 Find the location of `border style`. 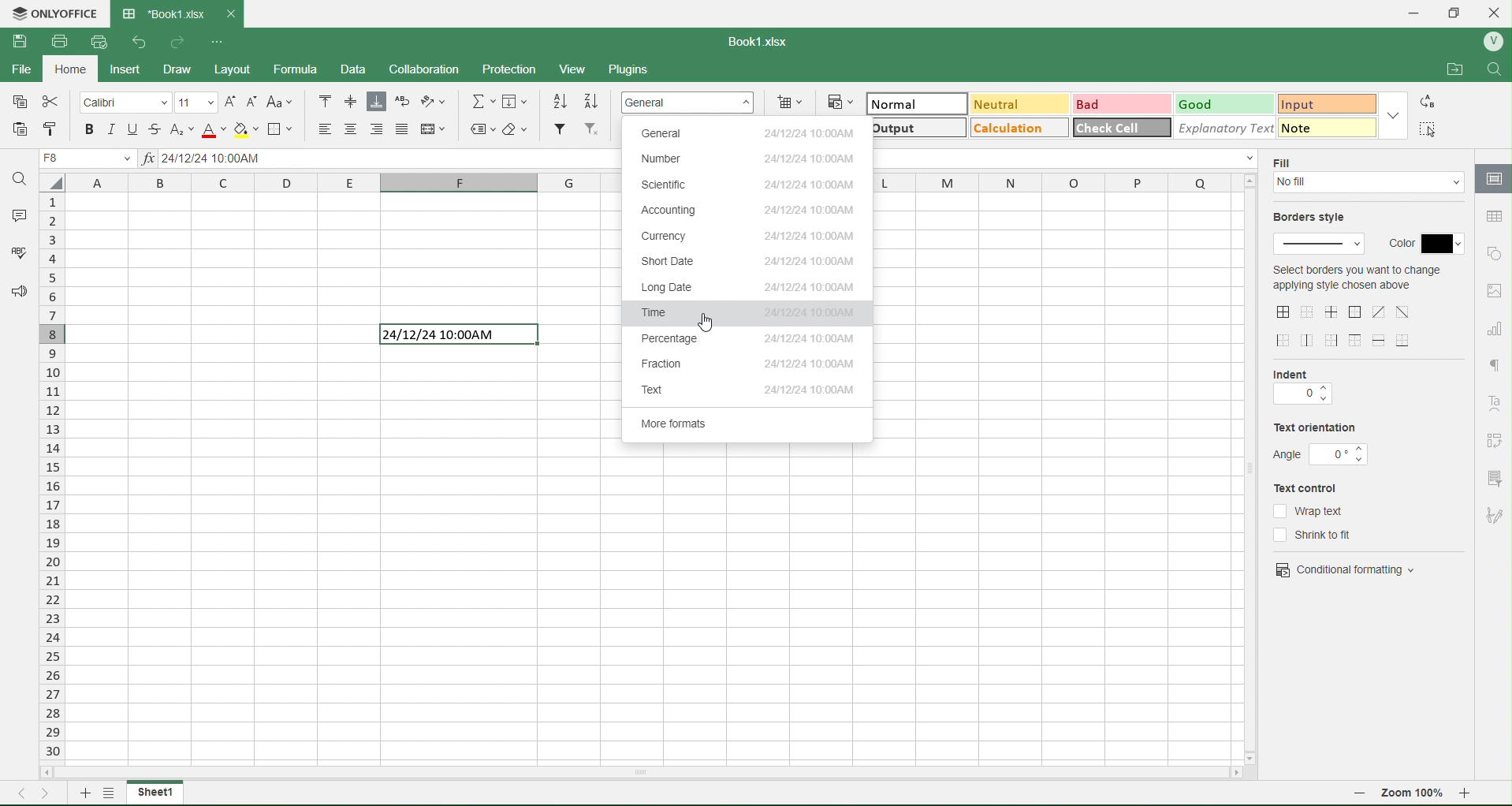

border style is located at coordinates (1321, 245).